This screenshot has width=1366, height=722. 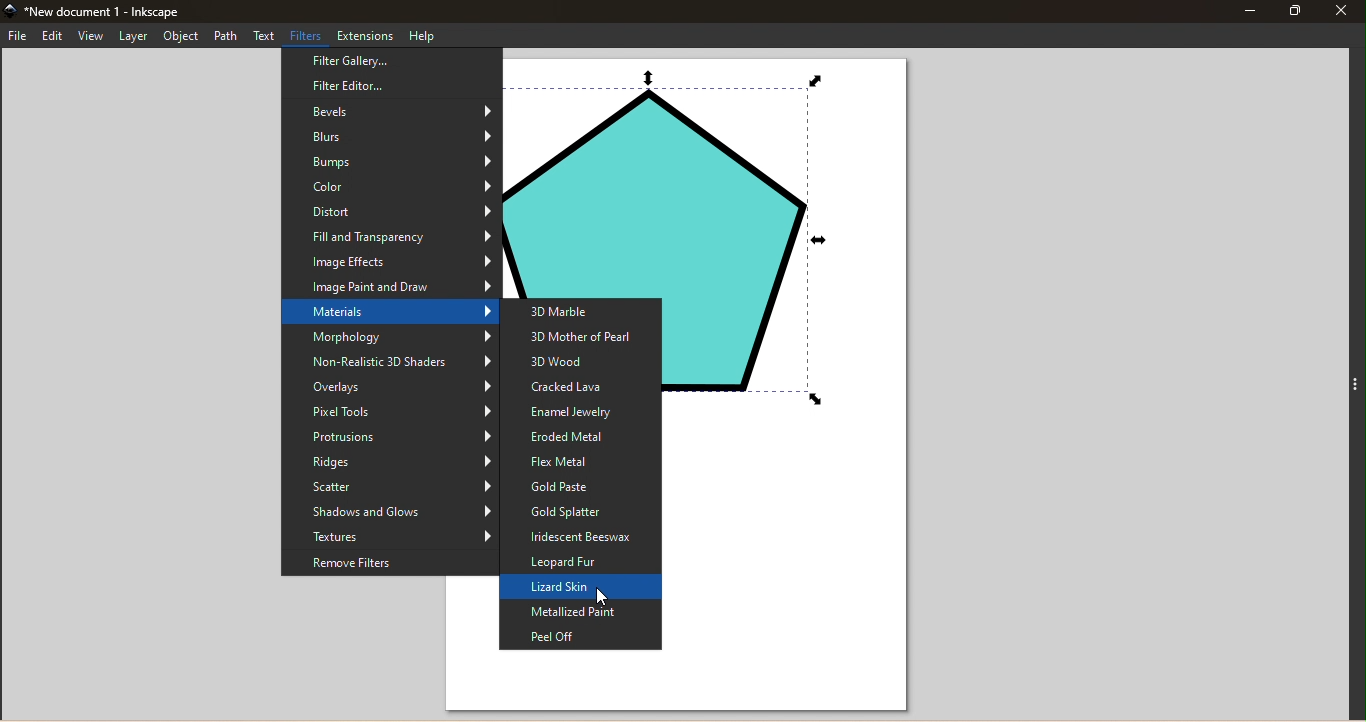 What do you see at coordinates (89, 36) in the screenshot?
I see `View` at bounding box center [89, 36].